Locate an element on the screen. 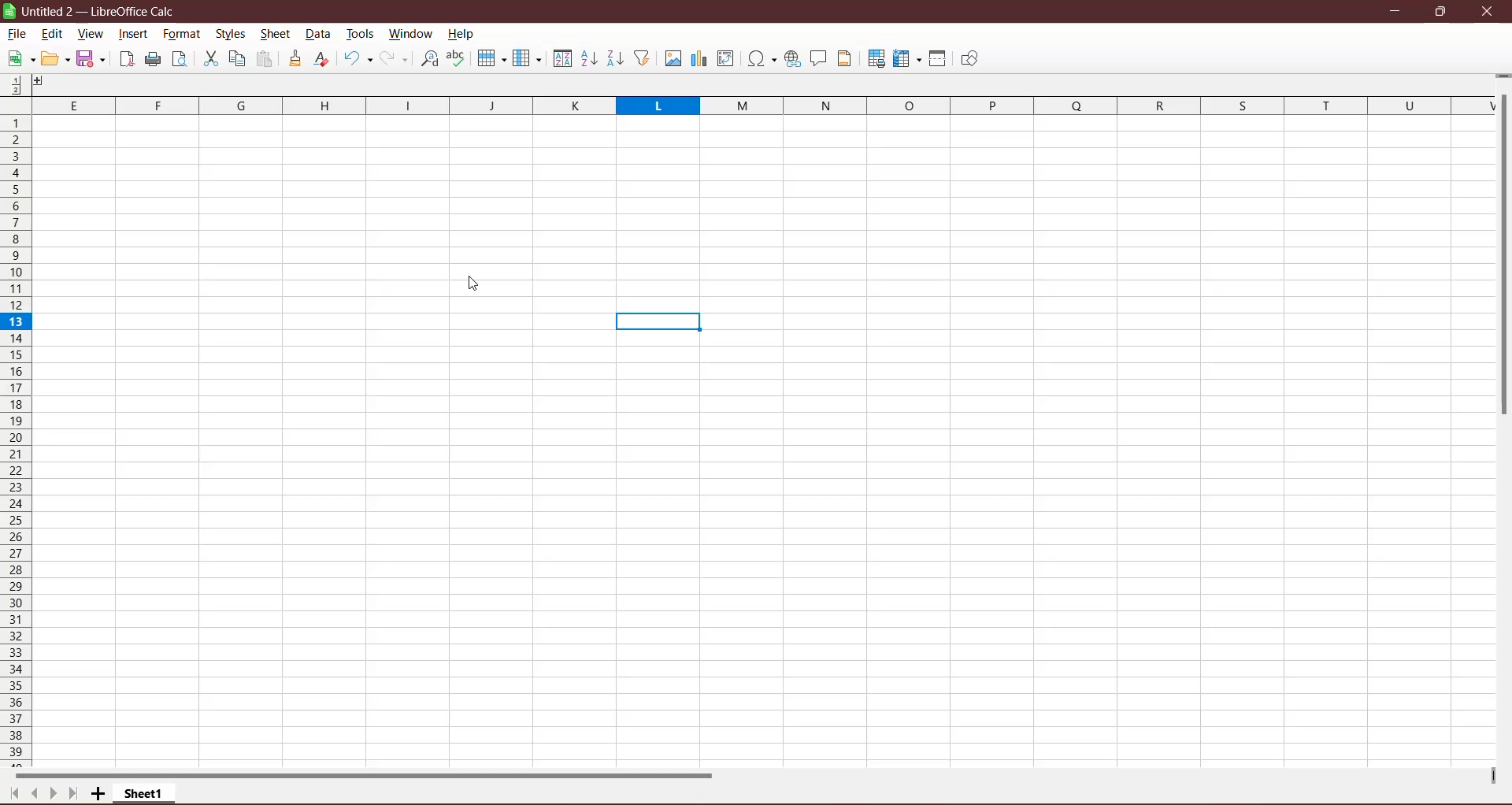 Image resolution: width=1512 pixels, height=805 pixels. Window is located at coordinates (410, 33).